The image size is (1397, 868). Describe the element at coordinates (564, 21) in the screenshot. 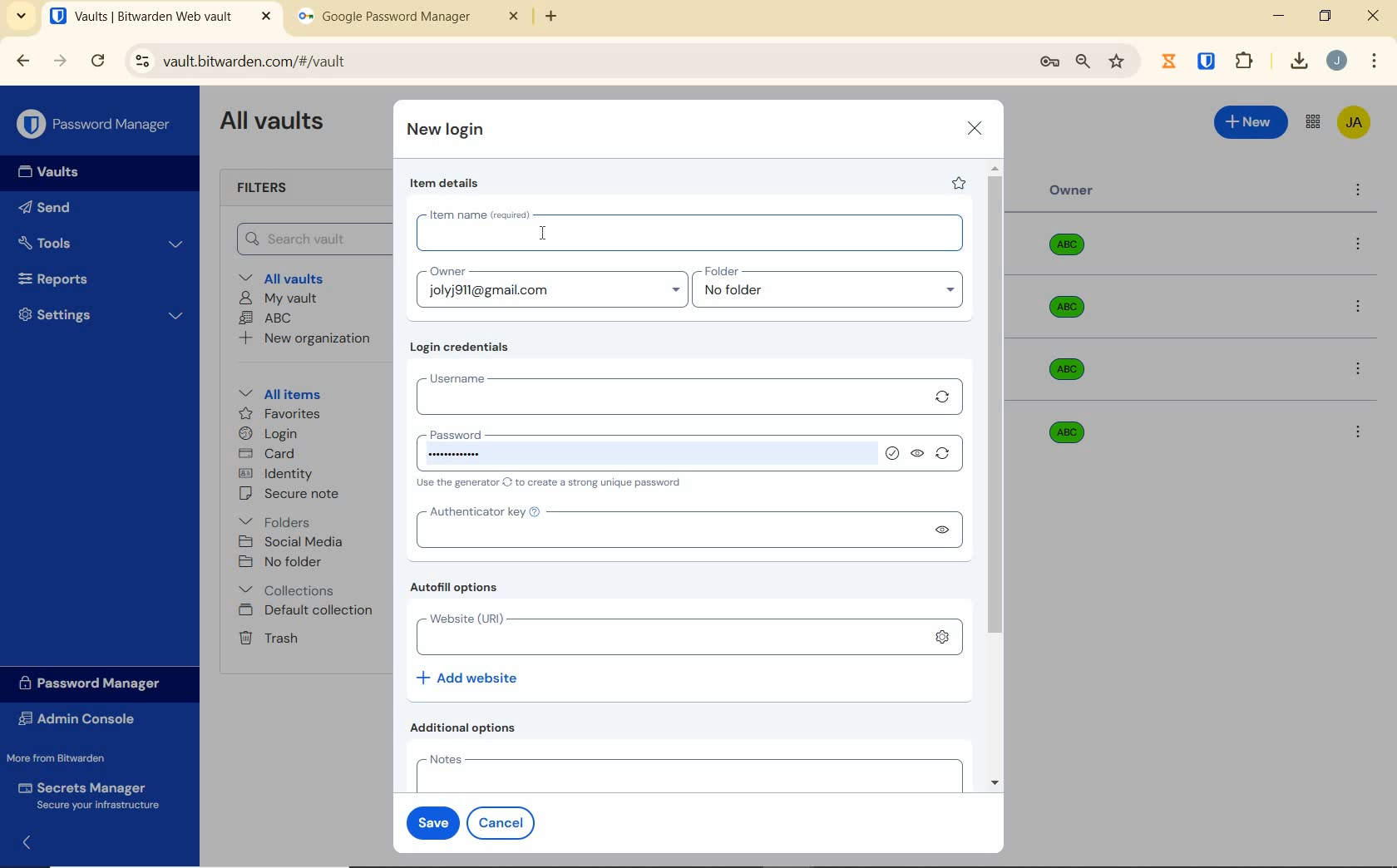

I see `add new tab` at that location.